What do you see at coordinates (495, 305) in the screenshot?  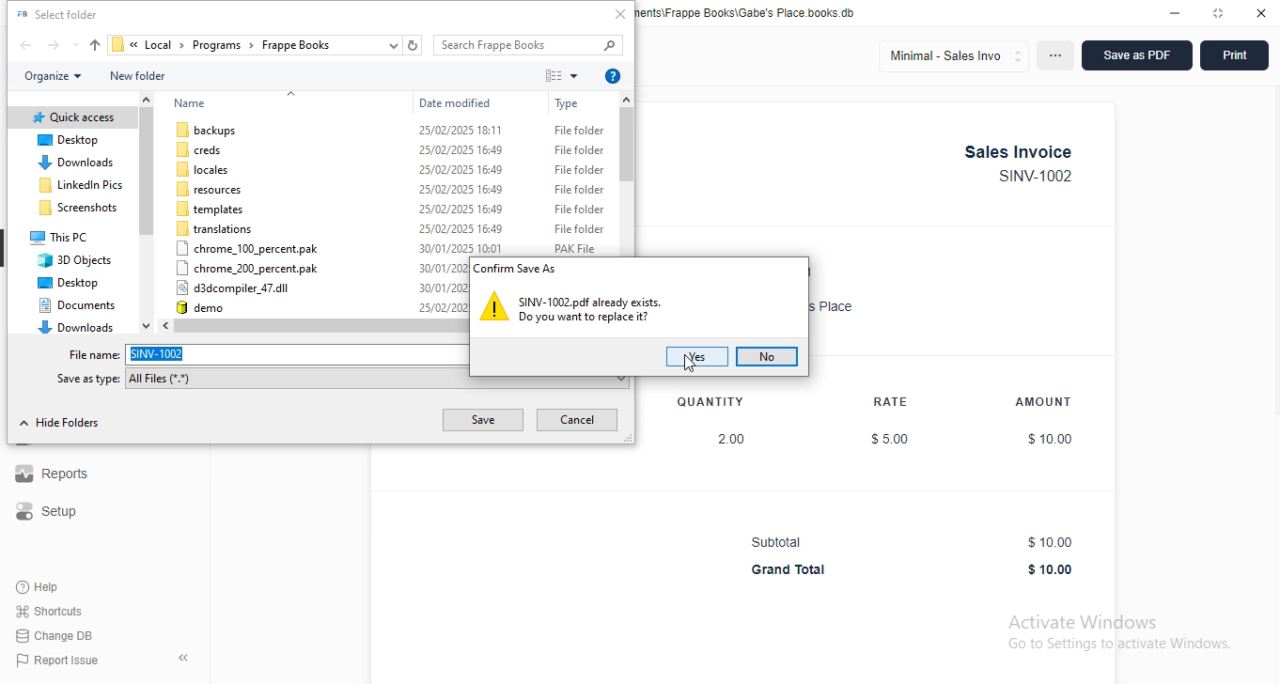 I see `warning logo` at bounding box center [495, 305].